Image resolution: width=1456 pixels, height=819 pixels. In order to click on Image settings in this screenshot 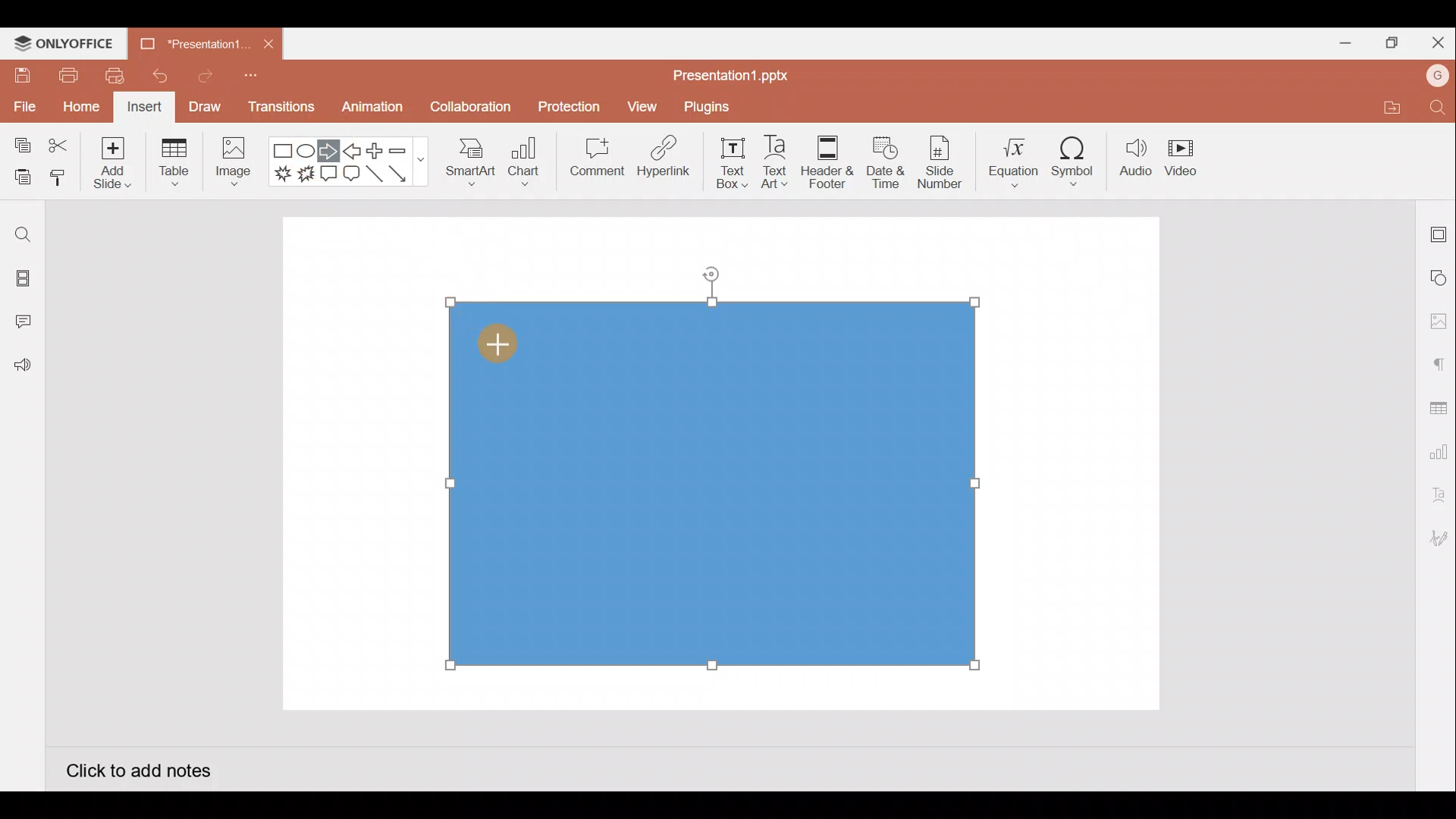, I will do `click(1439, 322)`.